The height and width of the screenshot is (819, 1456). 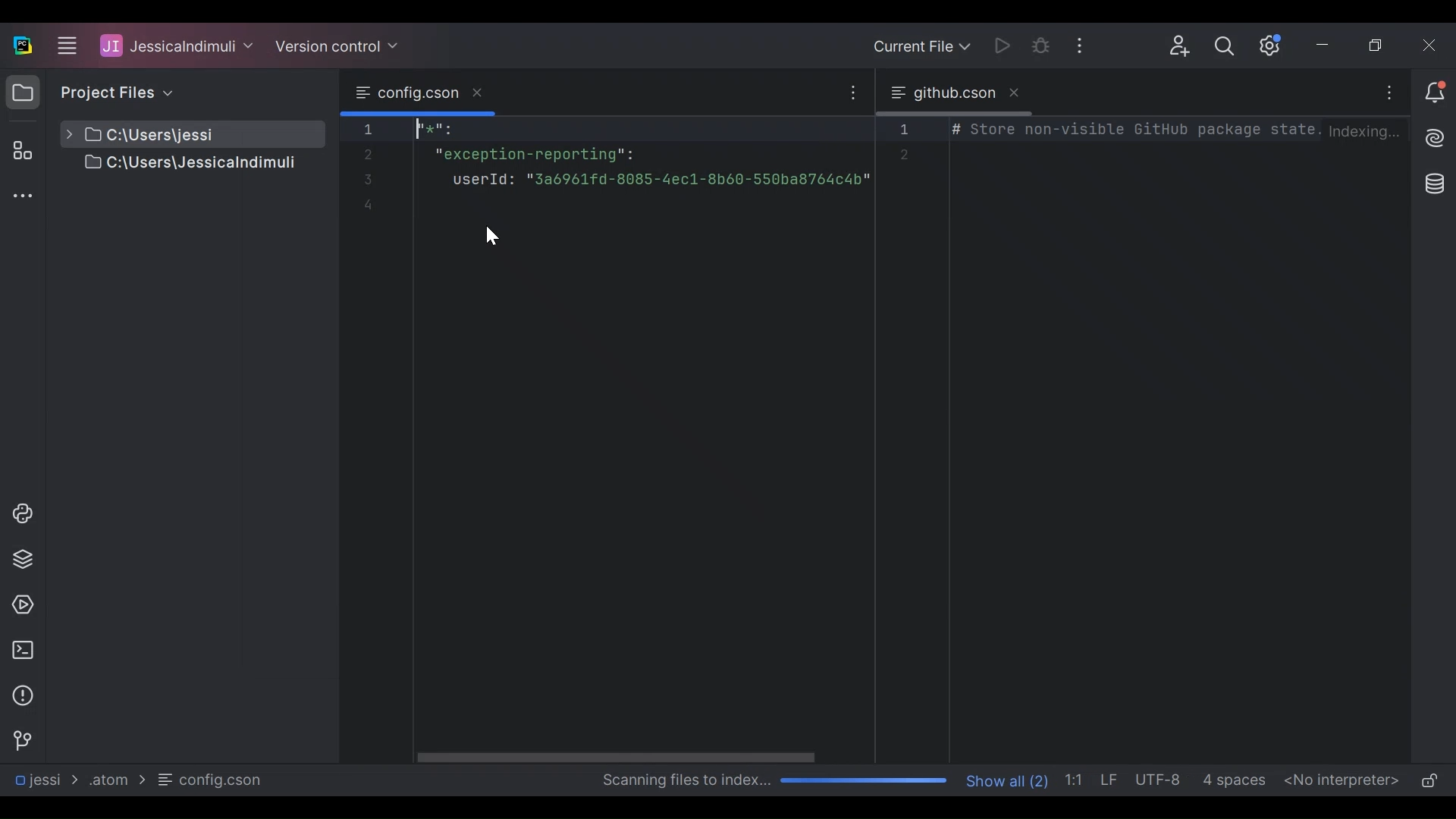 What do you see at coordinates (23, 45) in the screenshot?
I see `PyCharm` at bounding box center [23, 45].